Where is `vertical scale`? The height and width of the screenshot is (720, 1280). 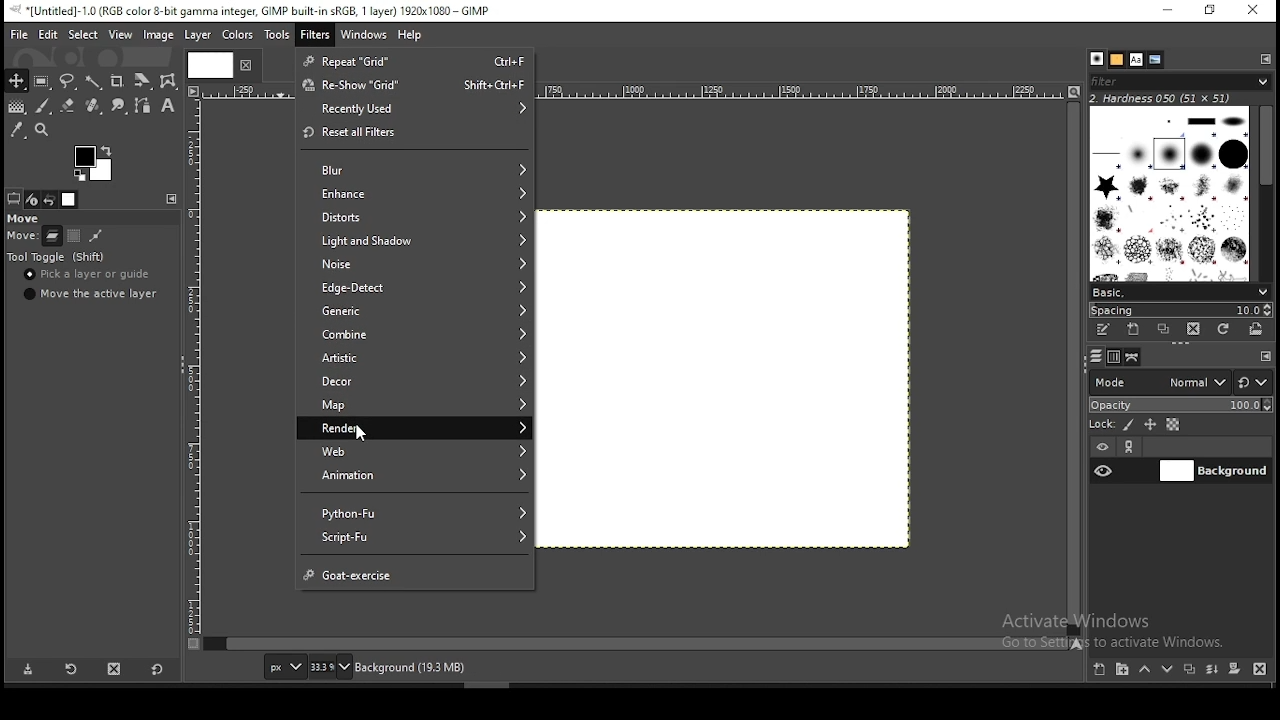
vertical scale is located at coordinates (197, 375).